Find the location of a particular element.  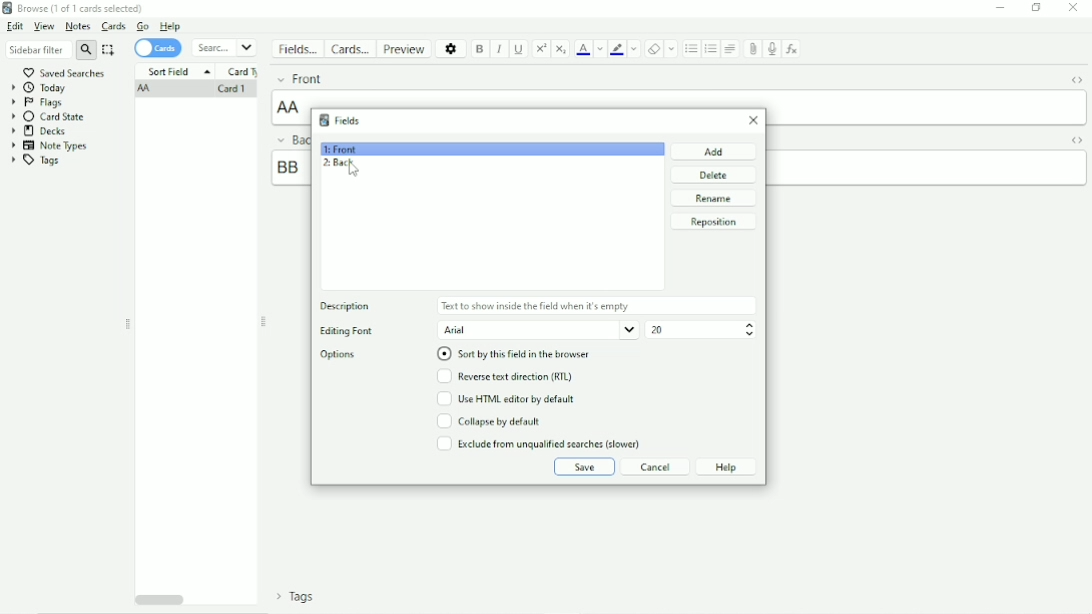

Close is located at coordinates (754, 120).